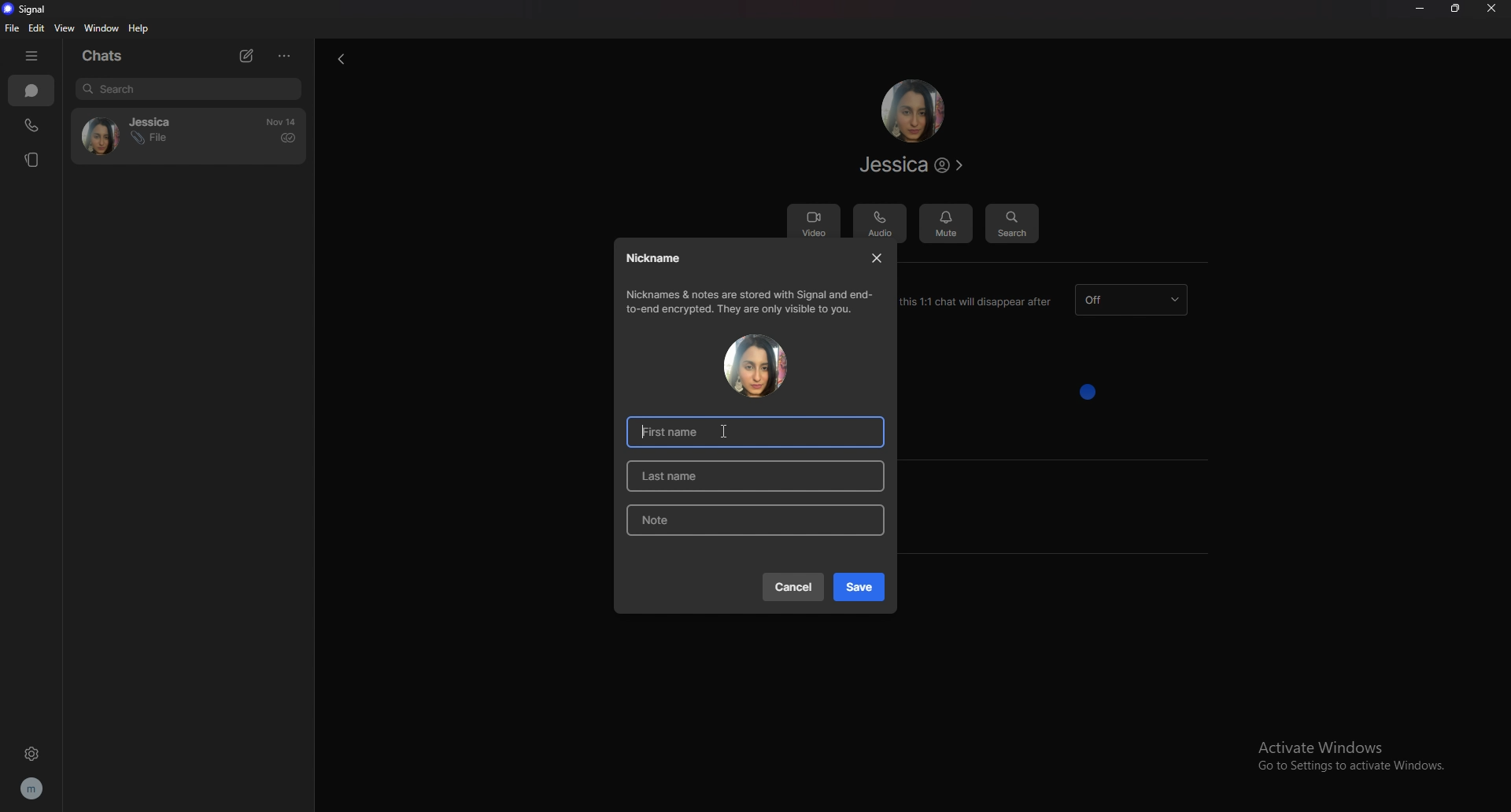  Describe the element at coordinates (36, 28) in the screenshot. I see `edit` at that location.